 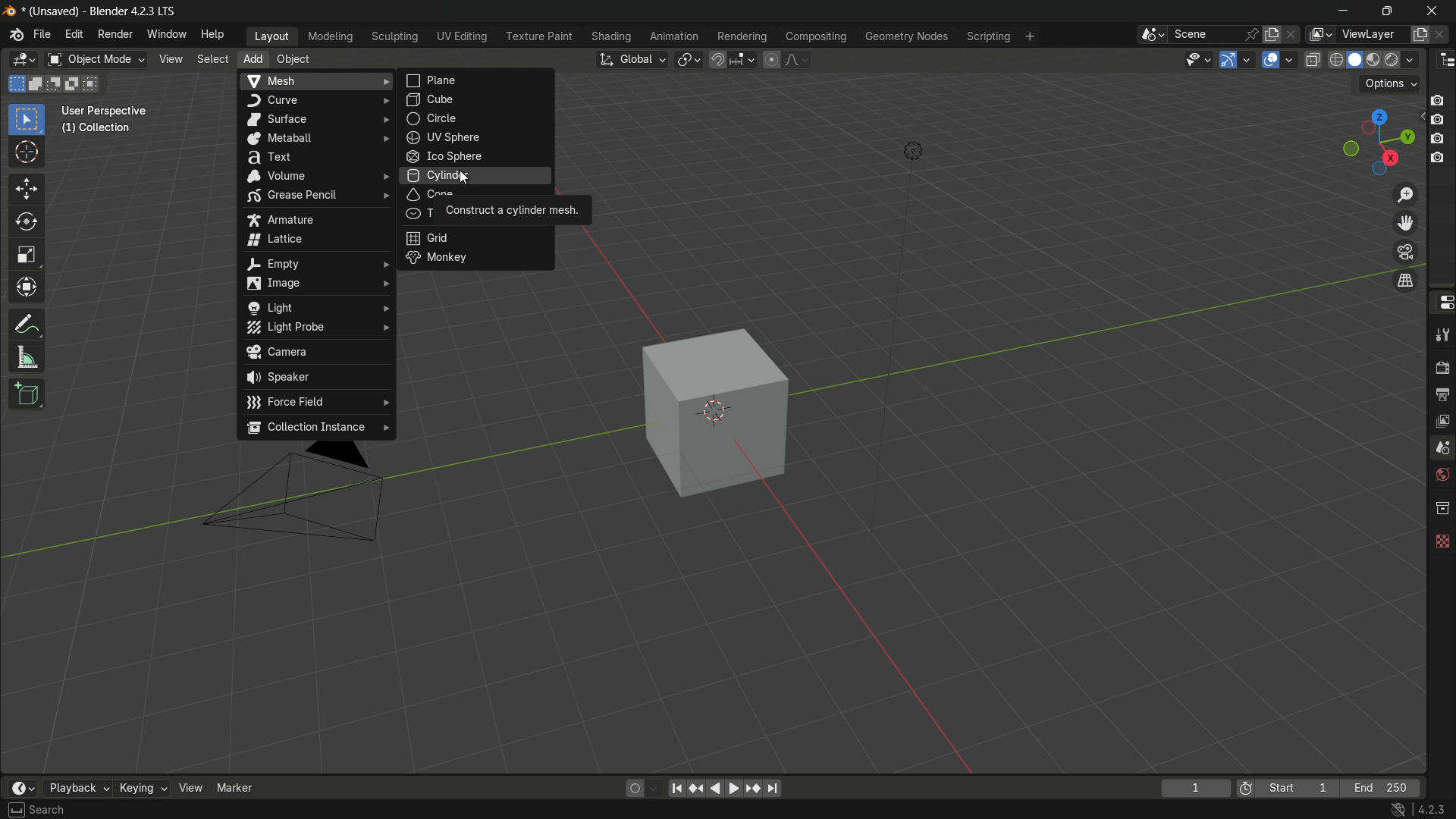 I want to click on back, so click(x=714, y=789).